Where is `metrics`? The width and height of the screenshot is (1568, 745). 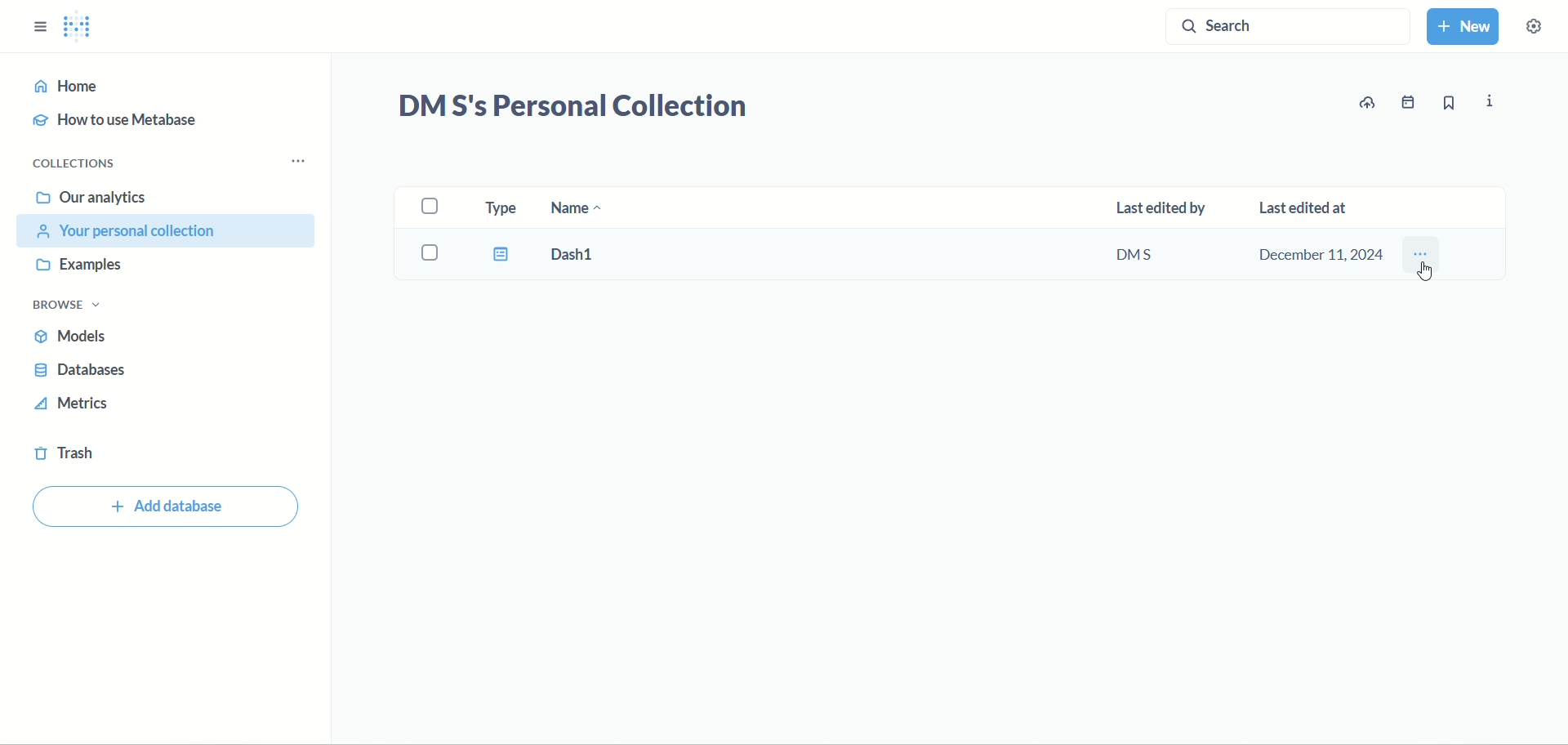
metrics is located at coordinates (74, 407).